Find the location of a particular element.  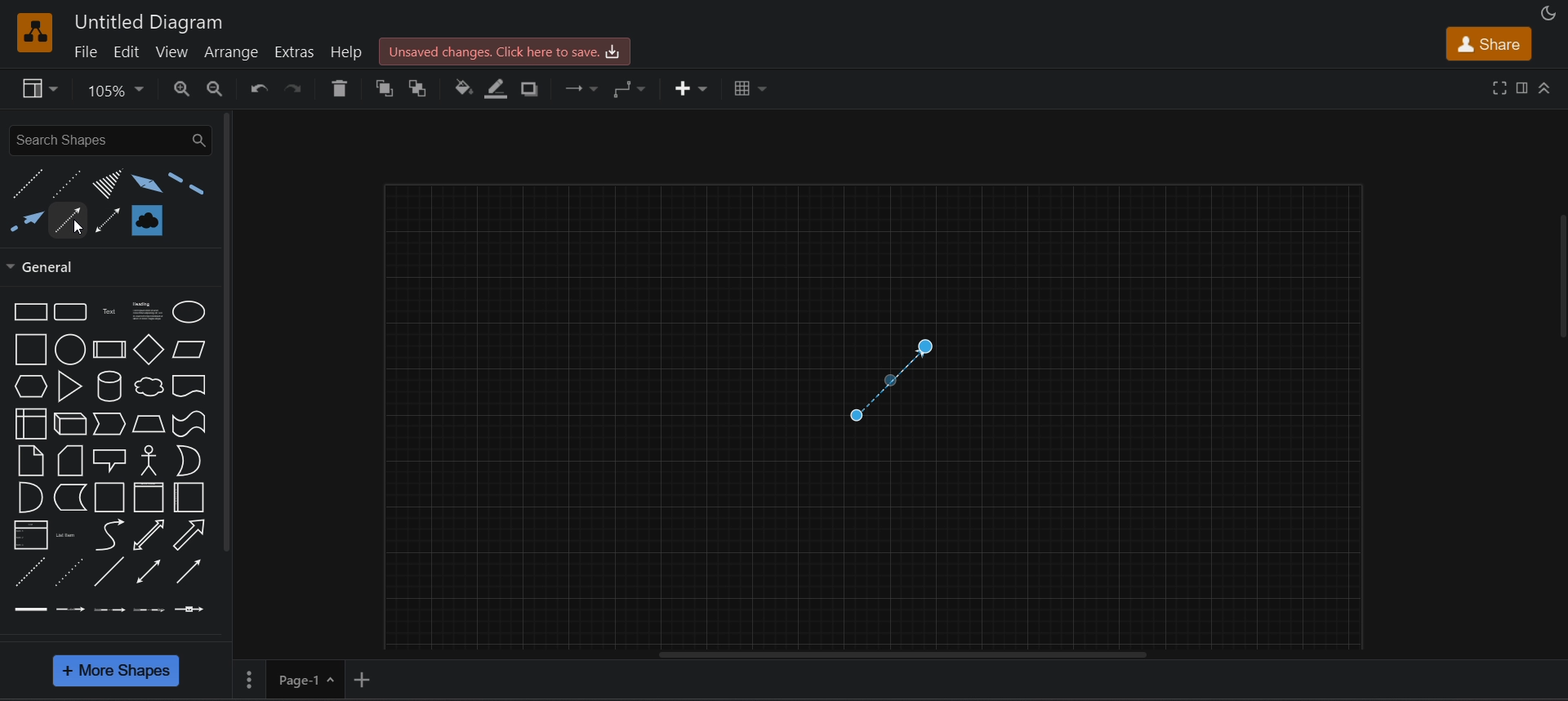

curve is located at coordinates (111, 535).